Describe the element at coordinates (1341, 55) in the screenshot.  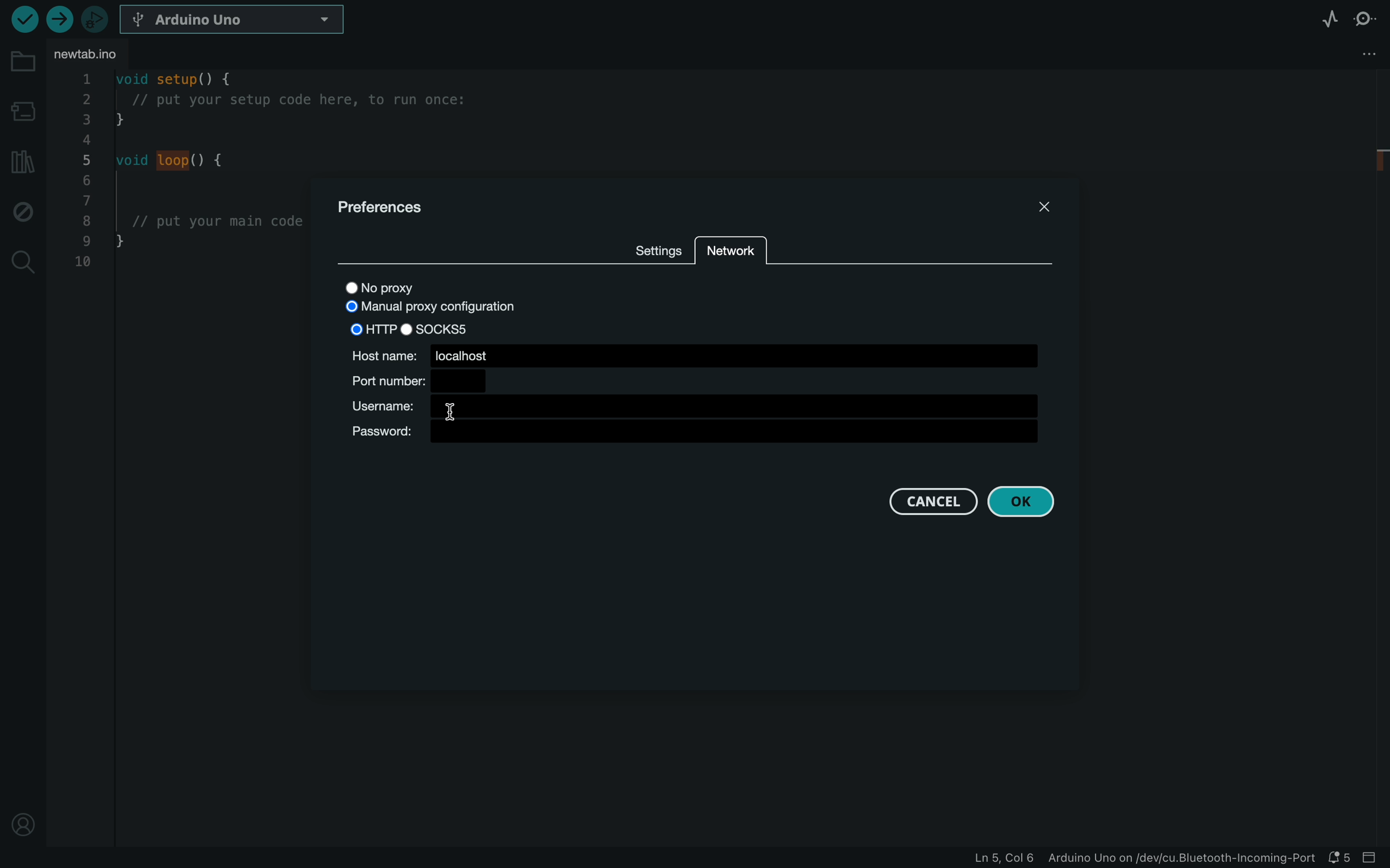
I see `file setting` at that location.